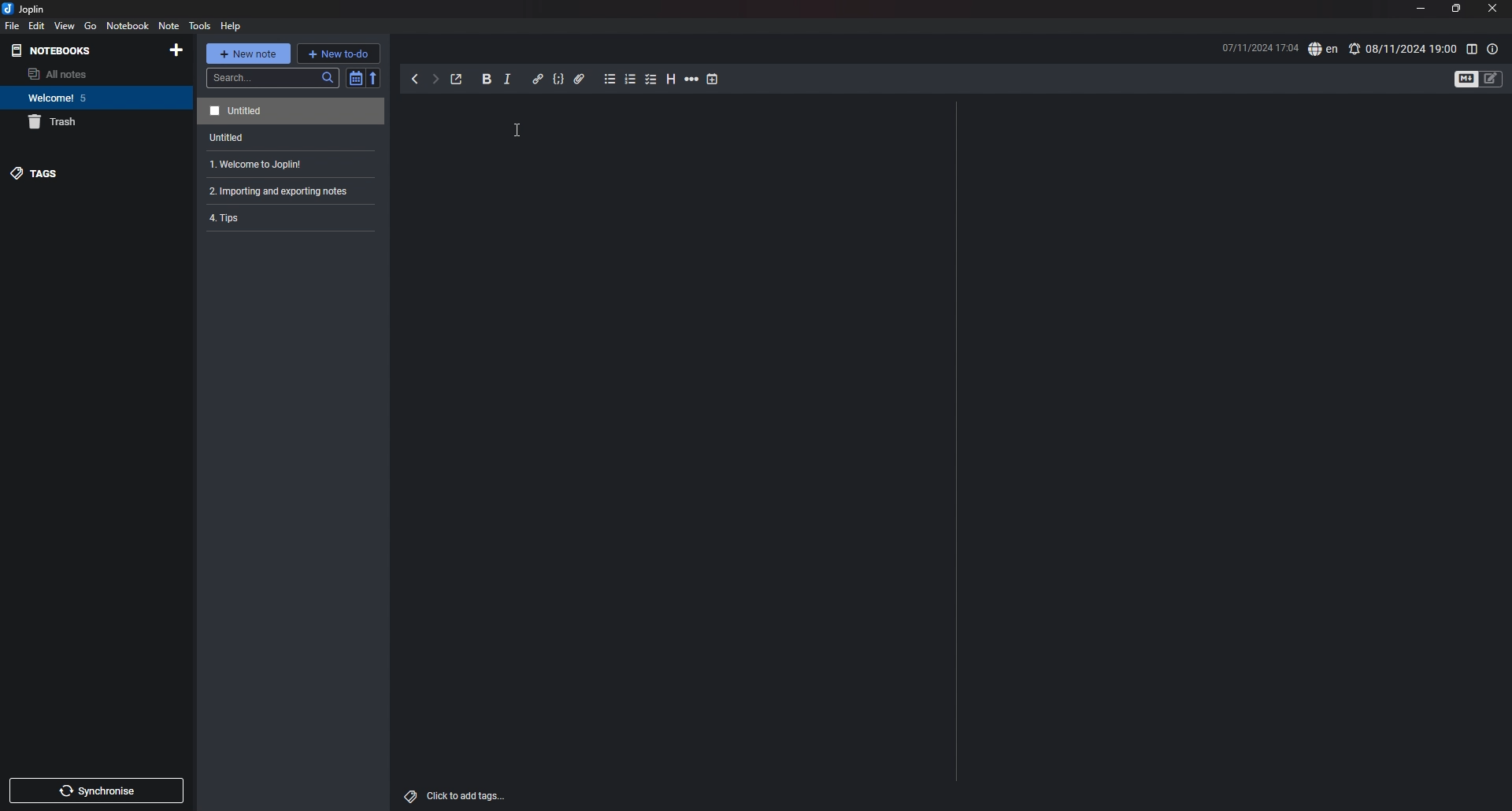 The width and height of the screenshot is (1512, 811). What do you see at coordinates (610, 80) in the screenshot?
I see `bullet list` at bounding box center [610, 80].